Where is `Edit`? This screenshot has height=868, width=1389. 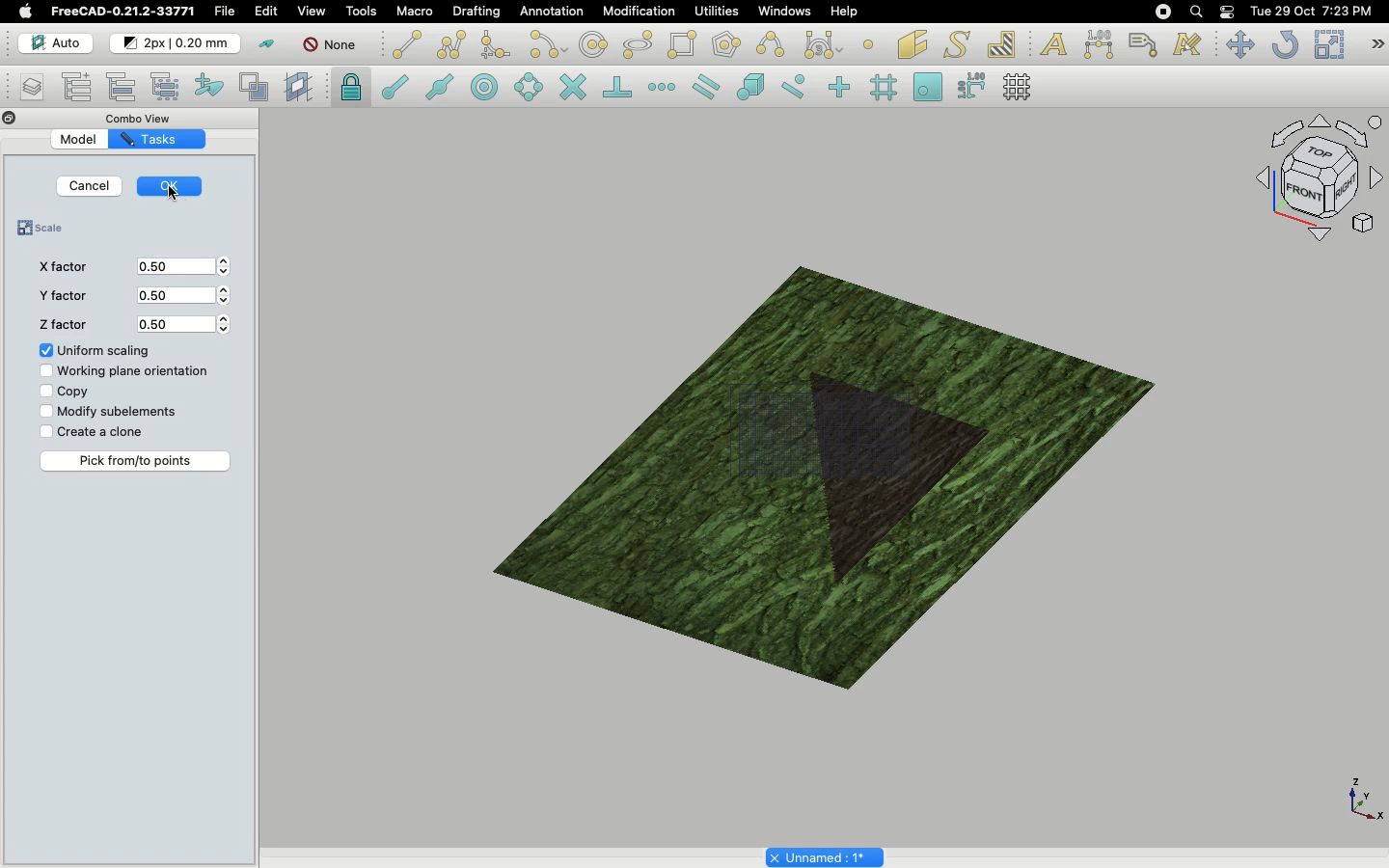 Edit is located at coordinates (267, 13).